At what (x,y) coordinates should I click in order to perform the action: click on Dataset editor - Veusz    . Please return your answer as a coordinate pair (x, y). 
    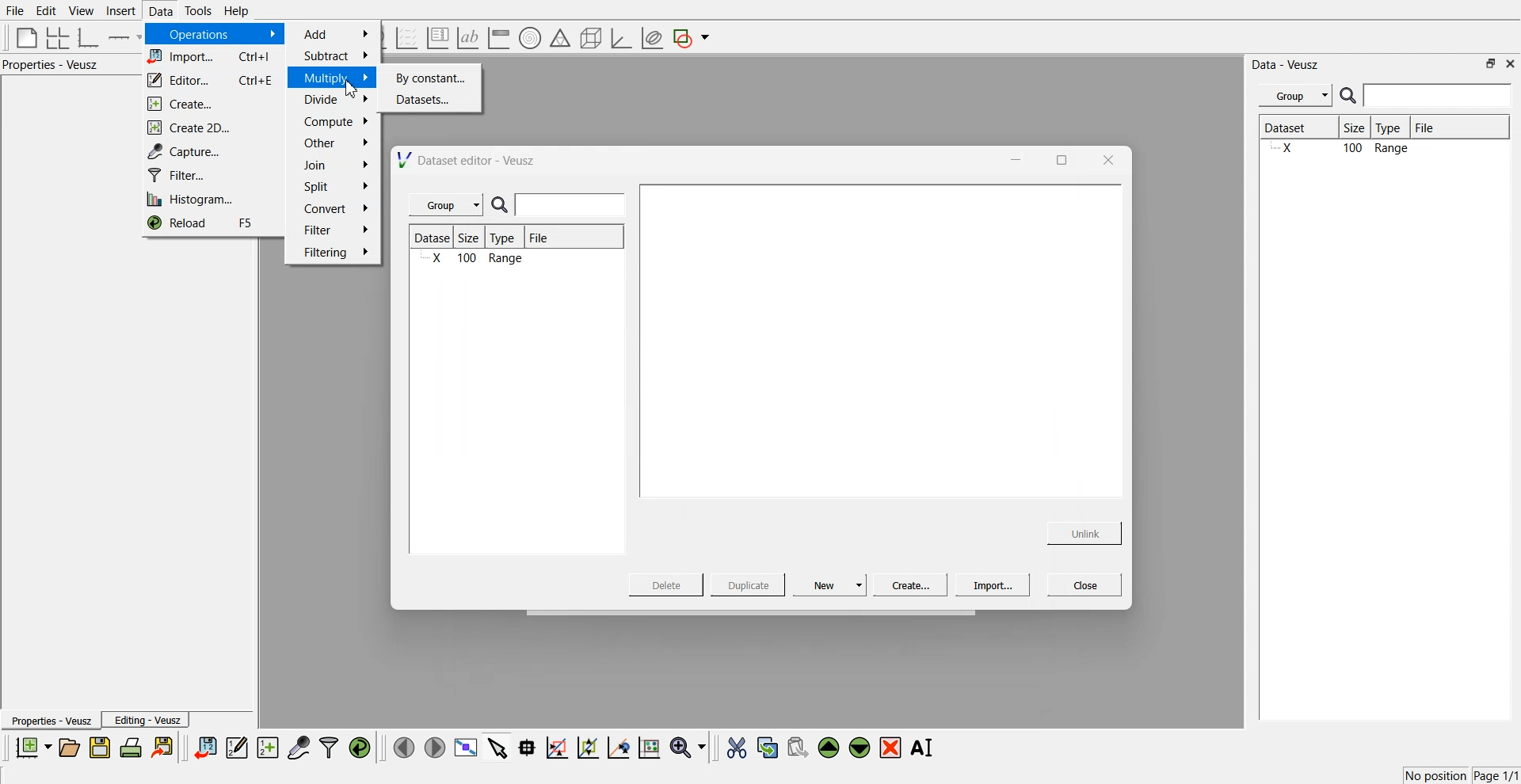
    Looking at the image, I should click on (468, 160).